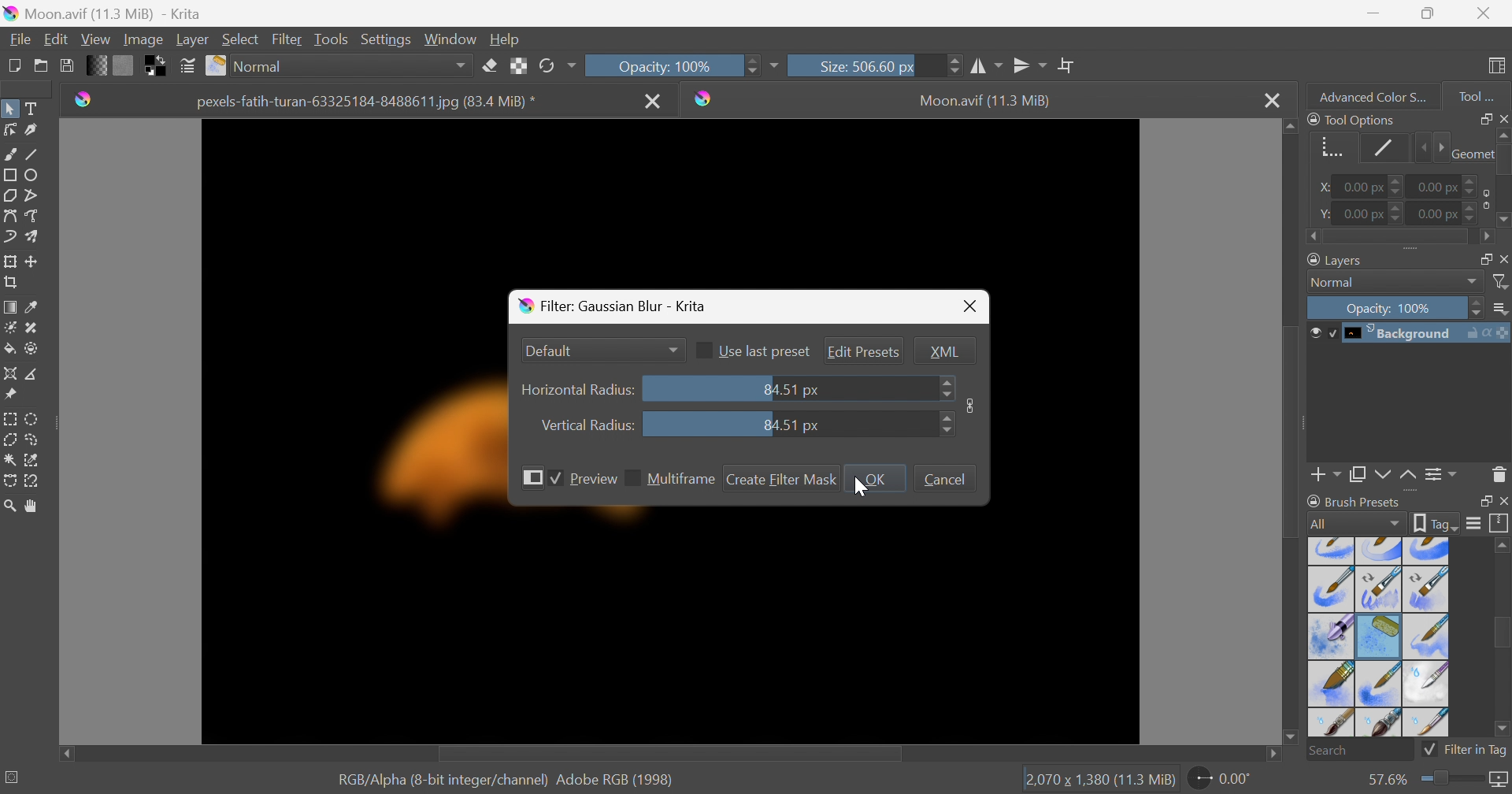 The height and width of the screenshot is (794, 1512). I want to click on Storage resources, so click(1501, 523).